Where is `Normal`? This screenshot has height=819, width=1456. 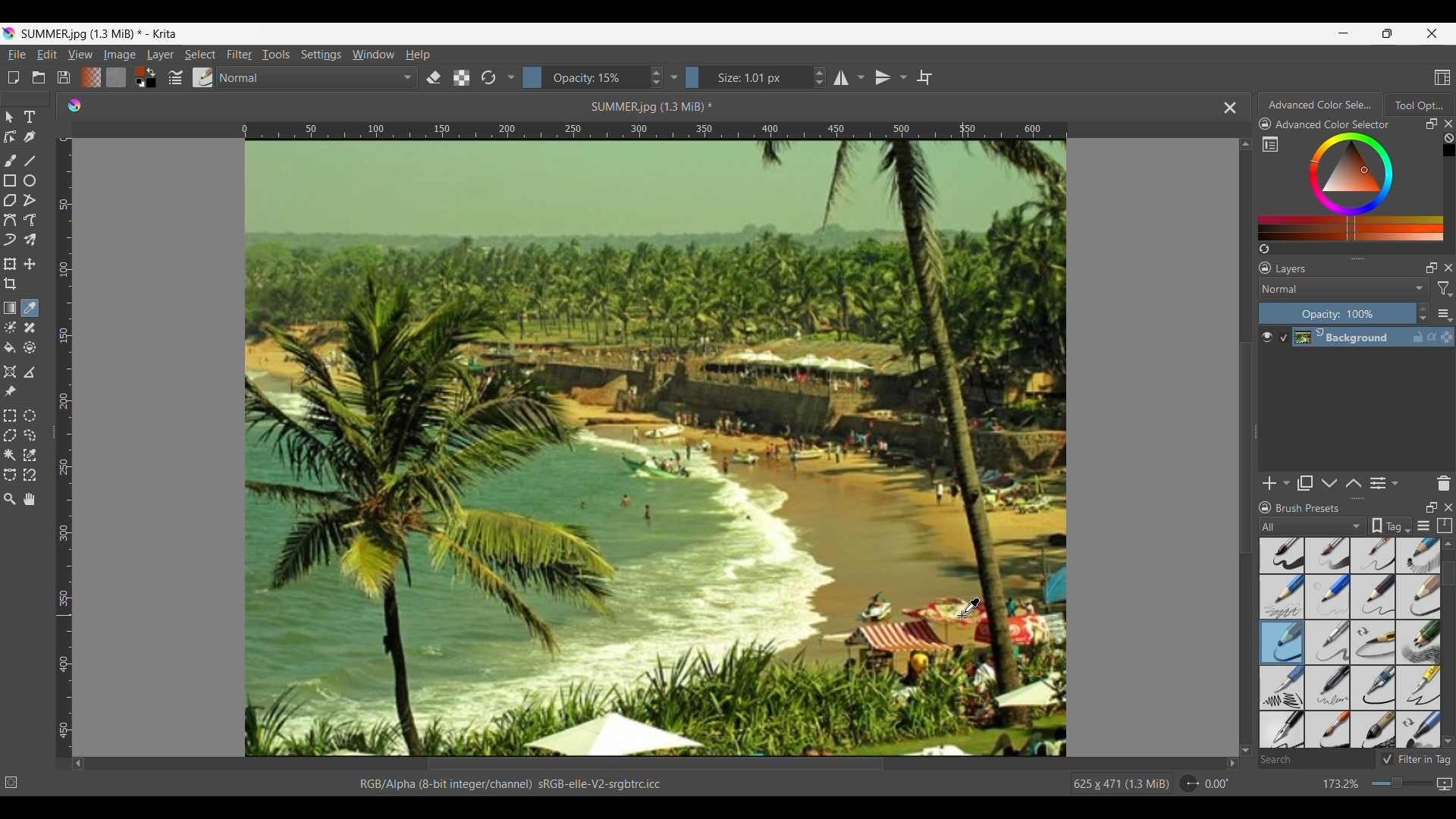 Normal is located at coordinates (318, 77).